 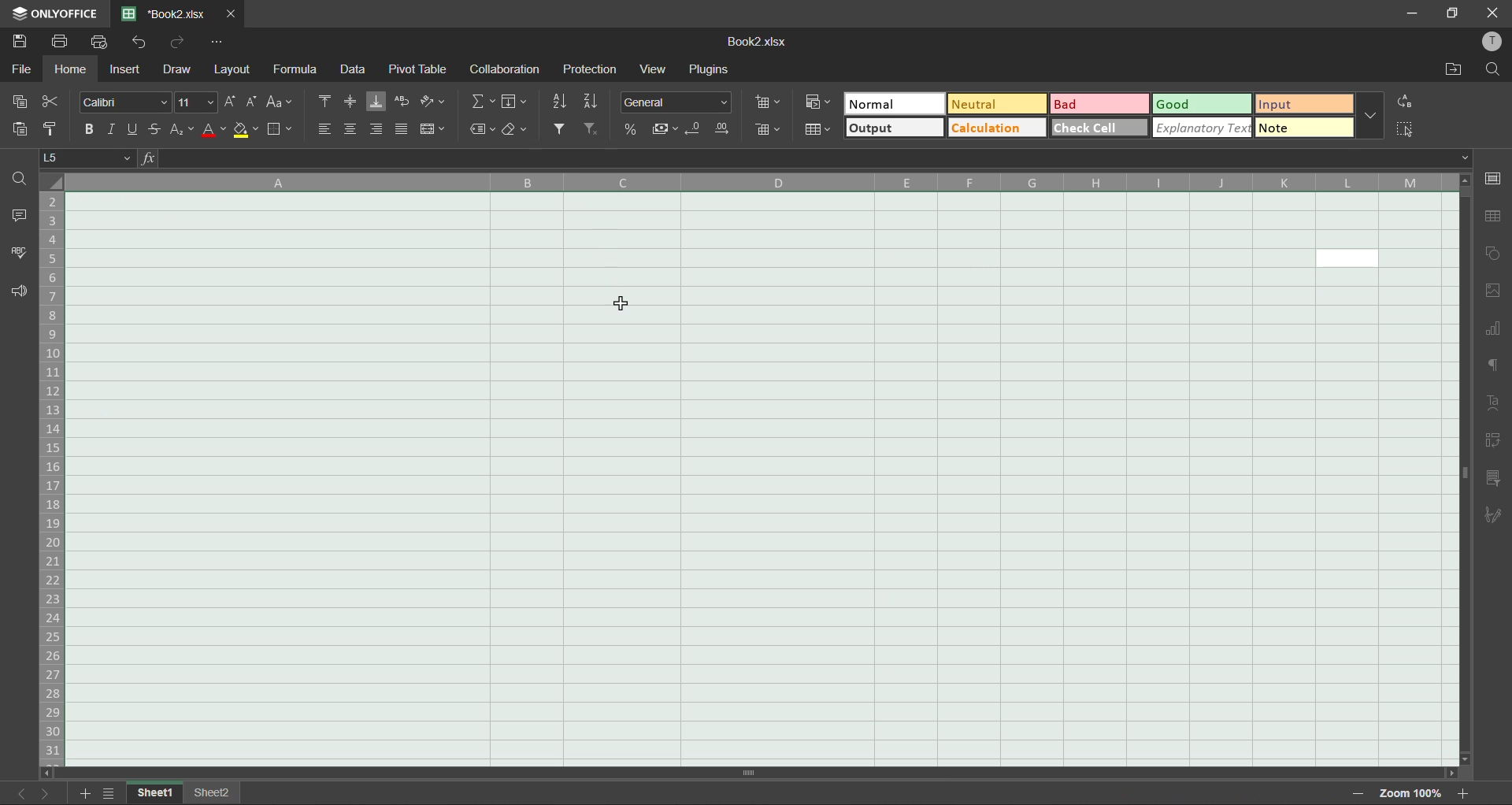 What do you see at coordinates (214, 131) in the screenshot?
I see `font color` at bounding box center [214, 131].